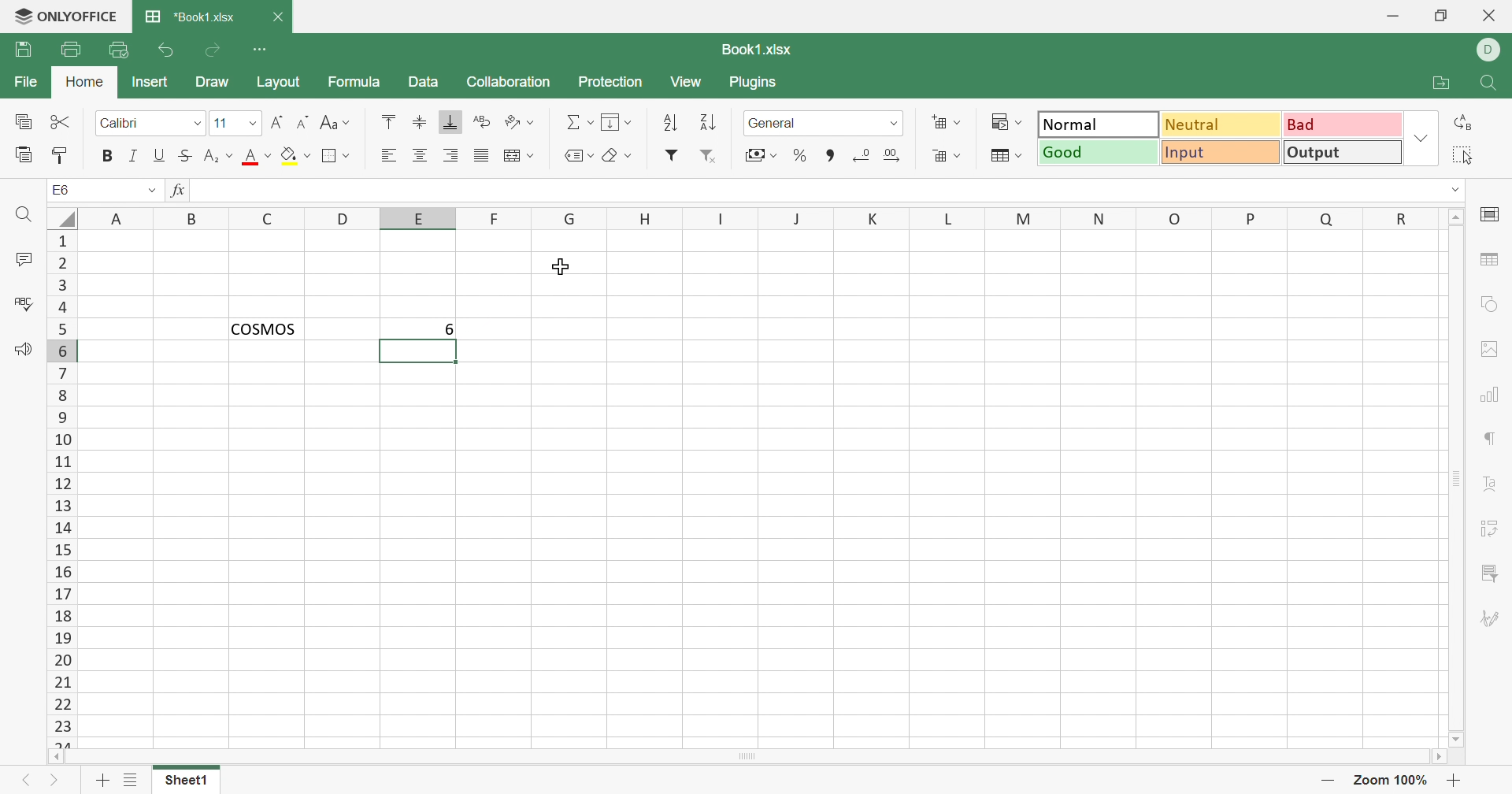  What do you see at coordinates (61, 489) in the screenshot?
I see `Row Number` at bounding box center [61, 489].